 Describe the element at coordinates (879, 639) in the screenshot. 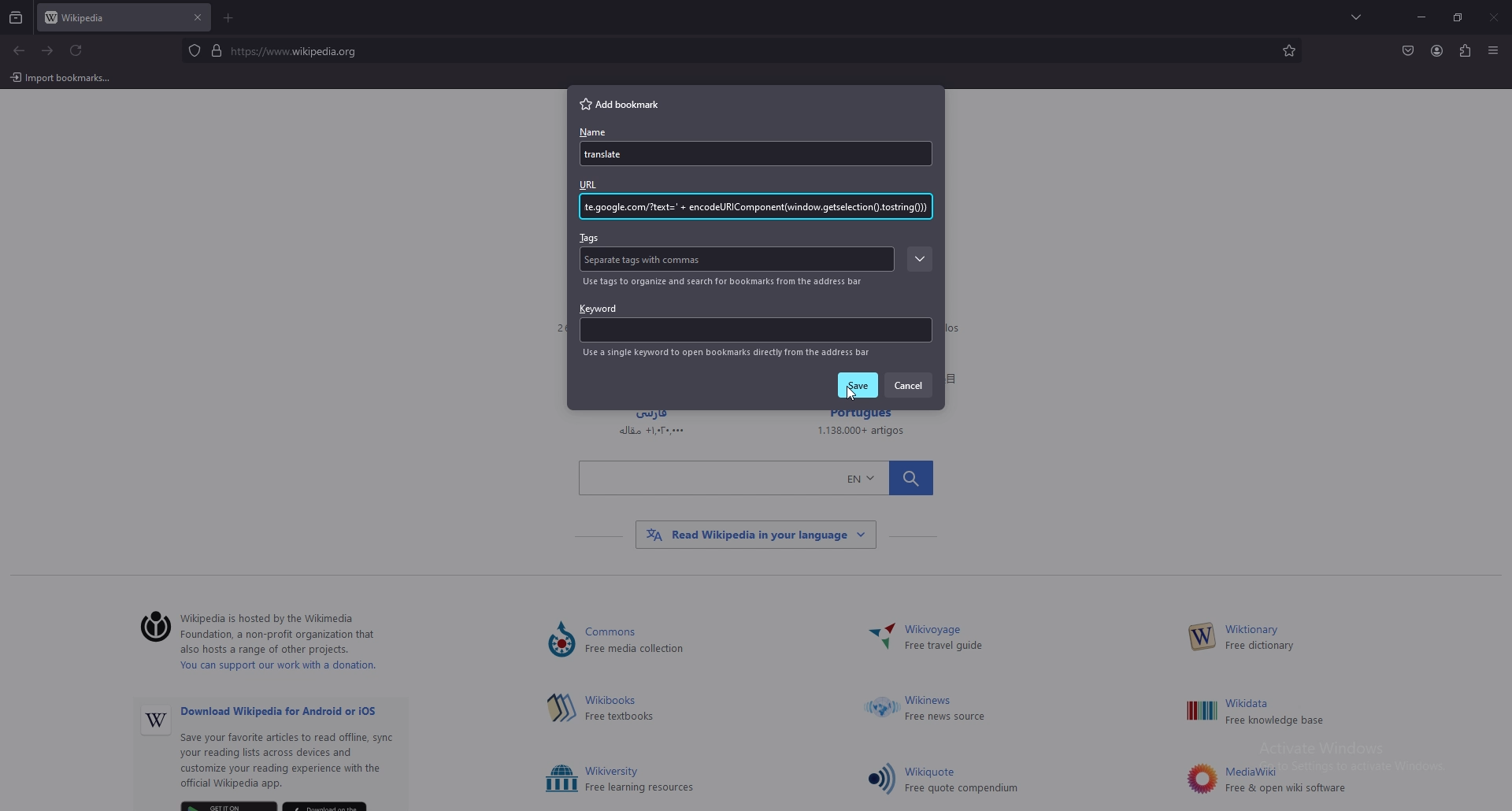

I see `` at that location.